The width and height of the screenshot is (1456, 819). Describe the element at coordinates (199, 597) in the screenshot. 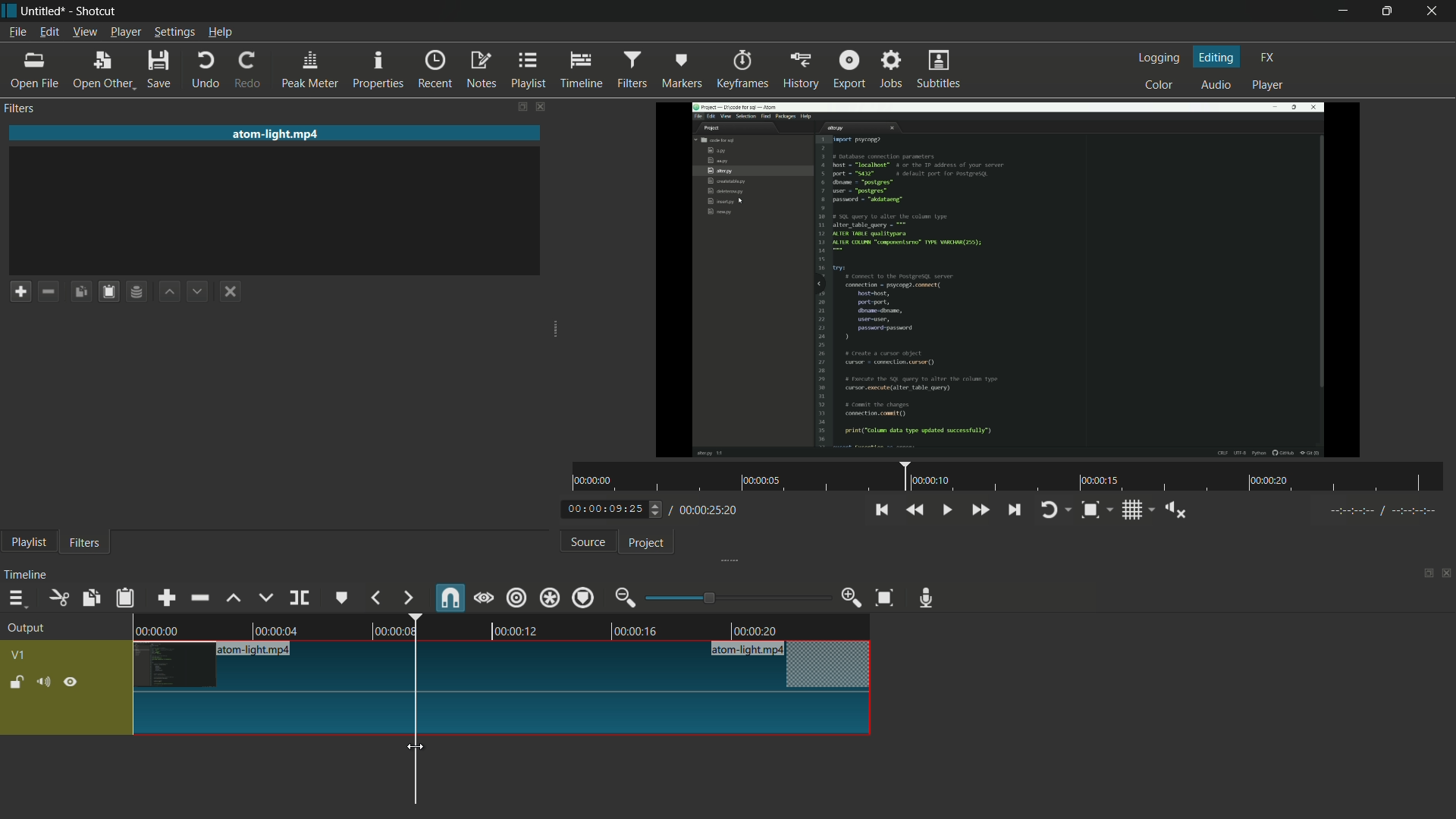

I see `ripple delete` at that location.